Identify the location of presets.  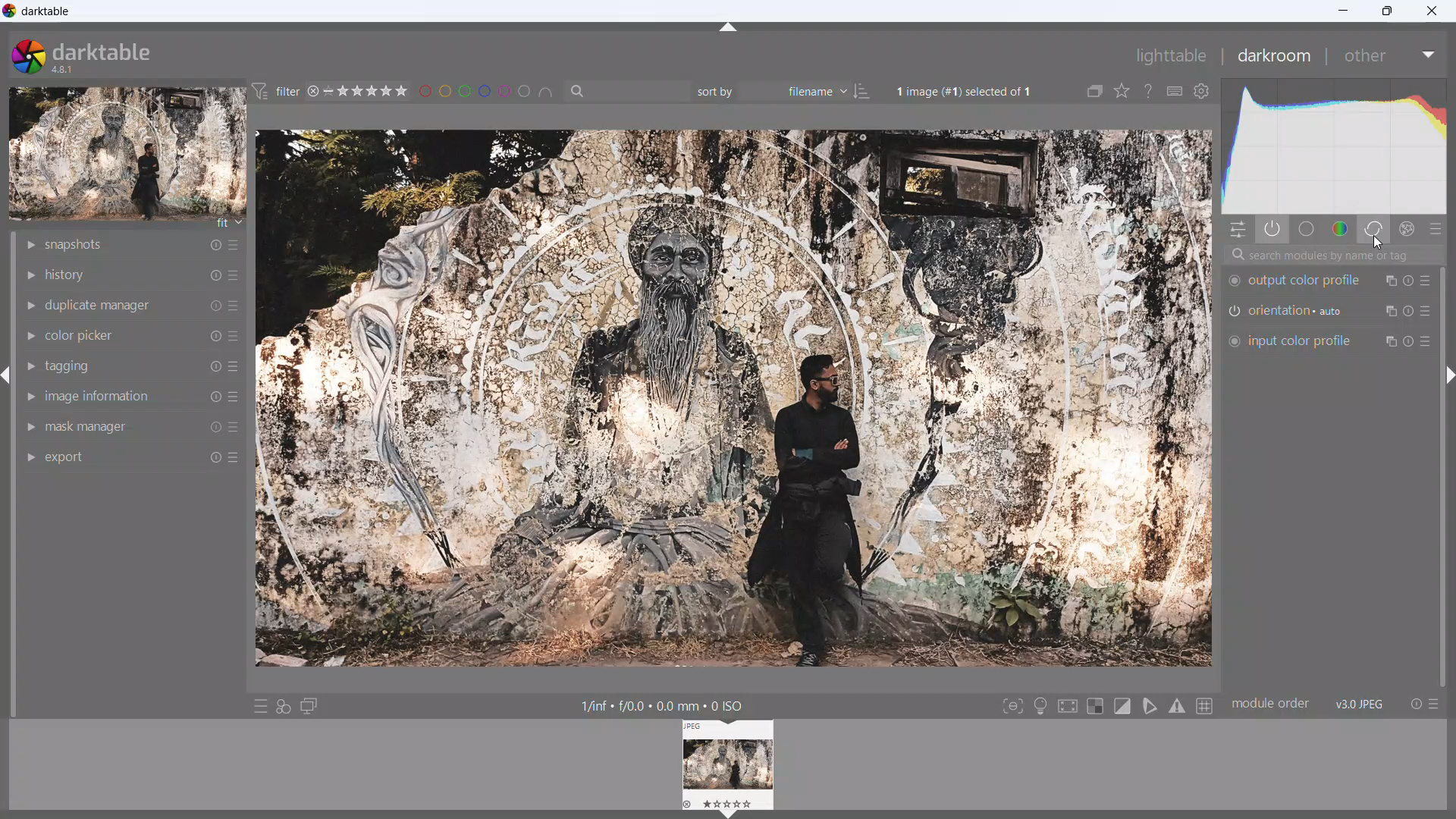
(1429, 340).